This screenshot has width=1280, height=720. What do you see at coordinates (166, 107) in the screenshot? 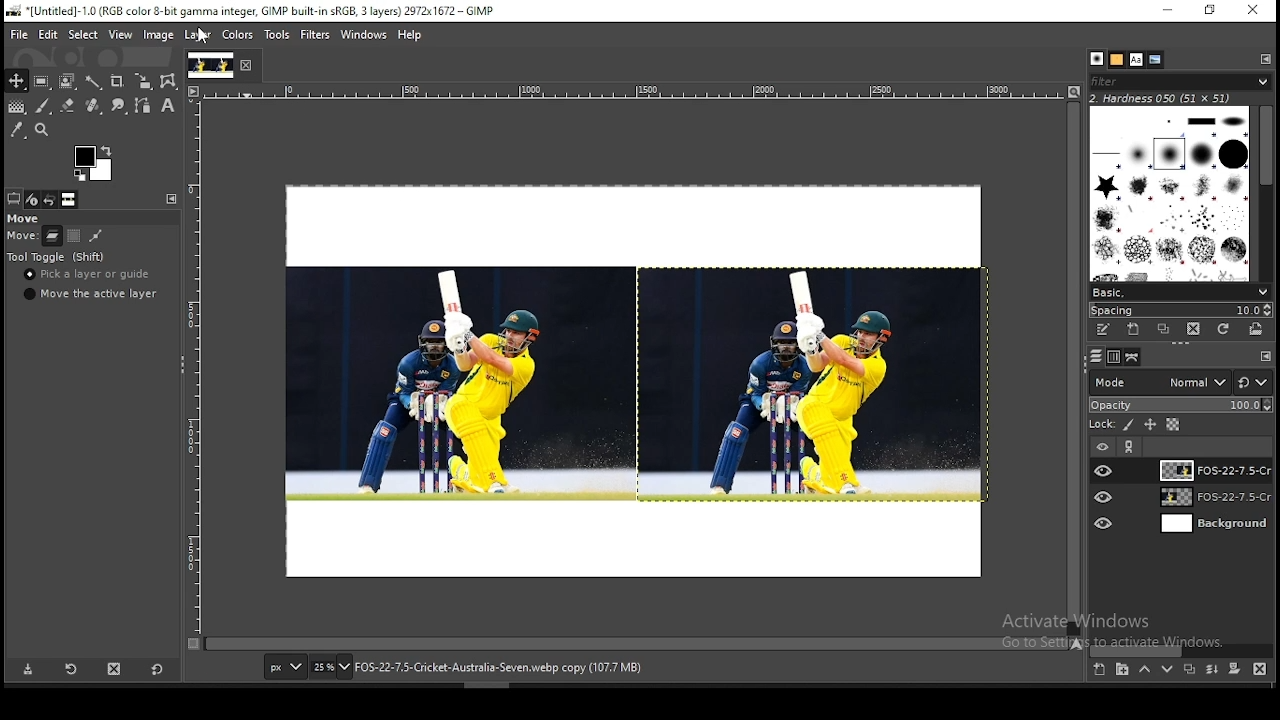
I see `text tool` at bounding box center [166, 107].